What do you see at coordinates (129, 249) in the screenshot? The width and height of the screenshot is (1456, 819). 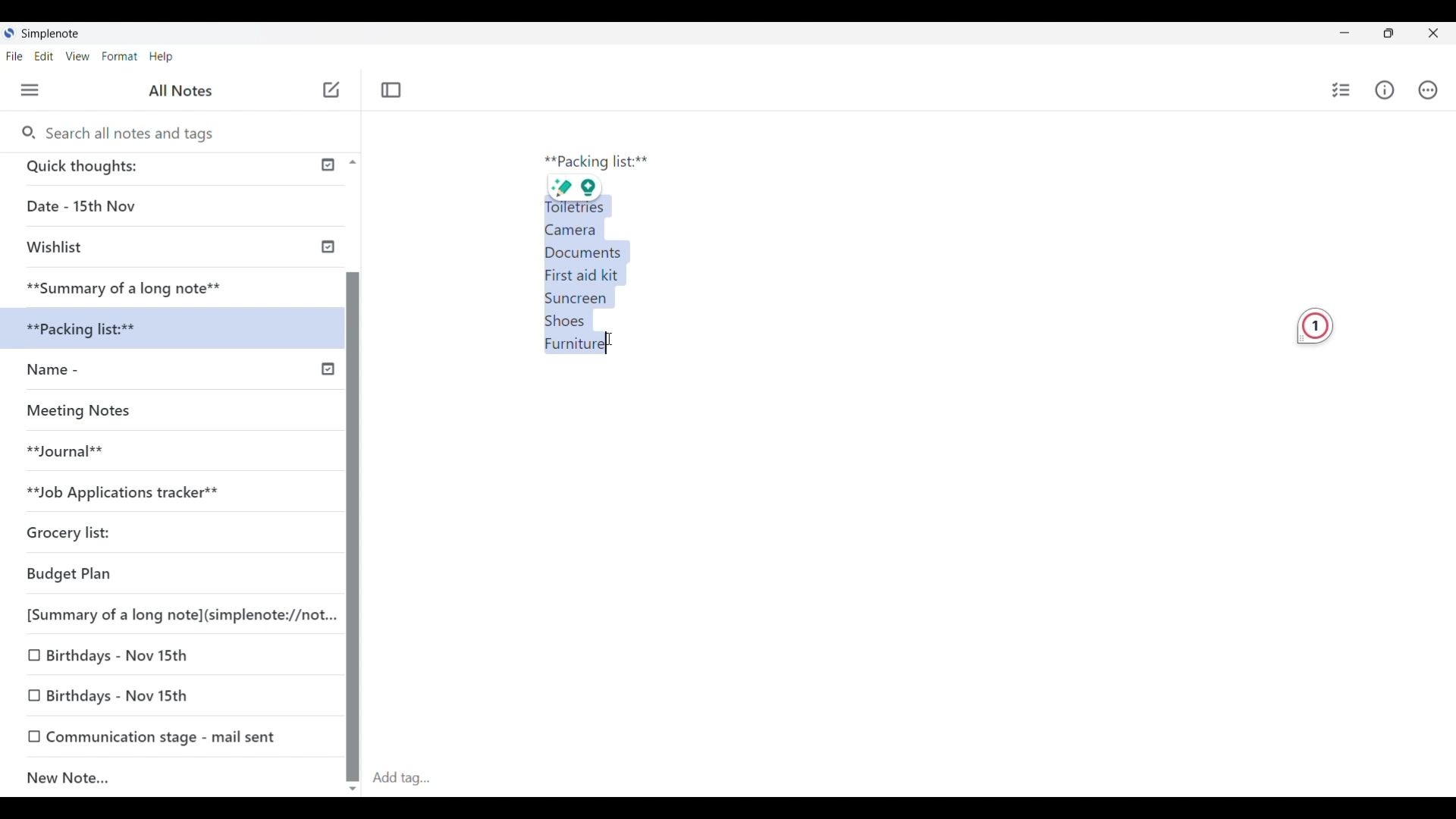 I see `Wishlist` at bounding box center [129, 249].